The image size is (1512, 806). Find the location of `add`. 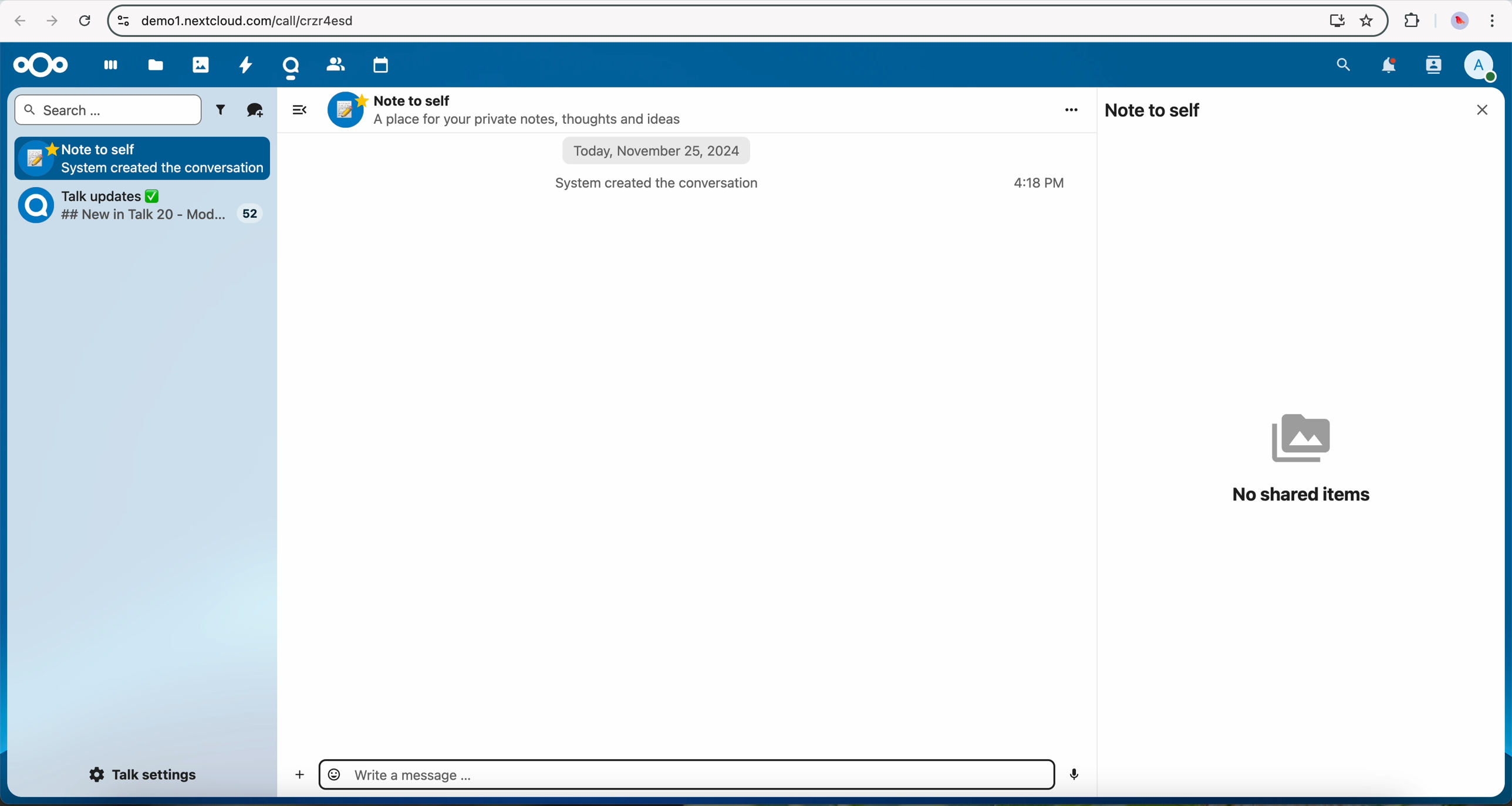

add is located at coordinates (296, 776).